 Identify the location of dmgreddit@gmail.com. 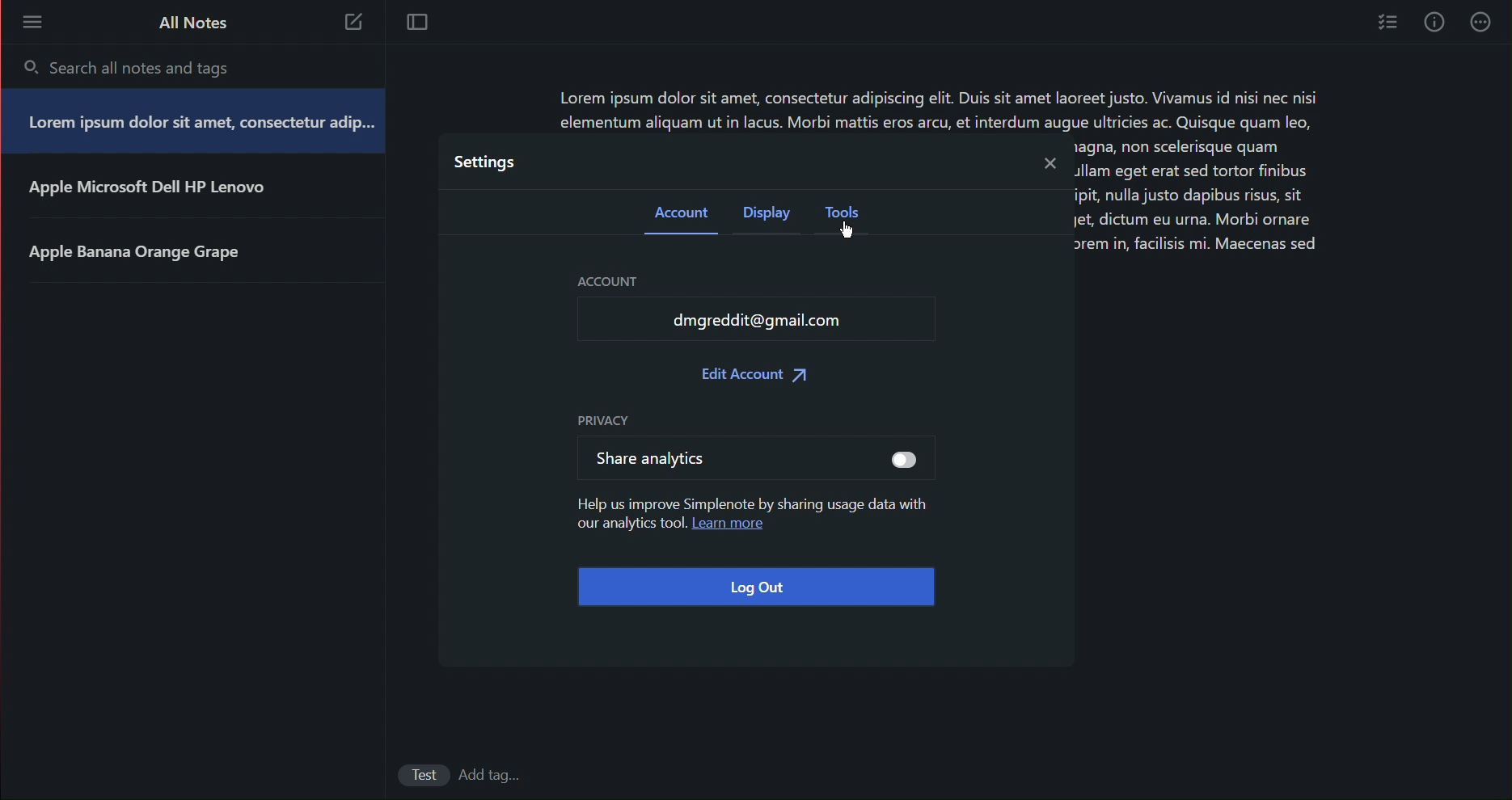
(776, 322).